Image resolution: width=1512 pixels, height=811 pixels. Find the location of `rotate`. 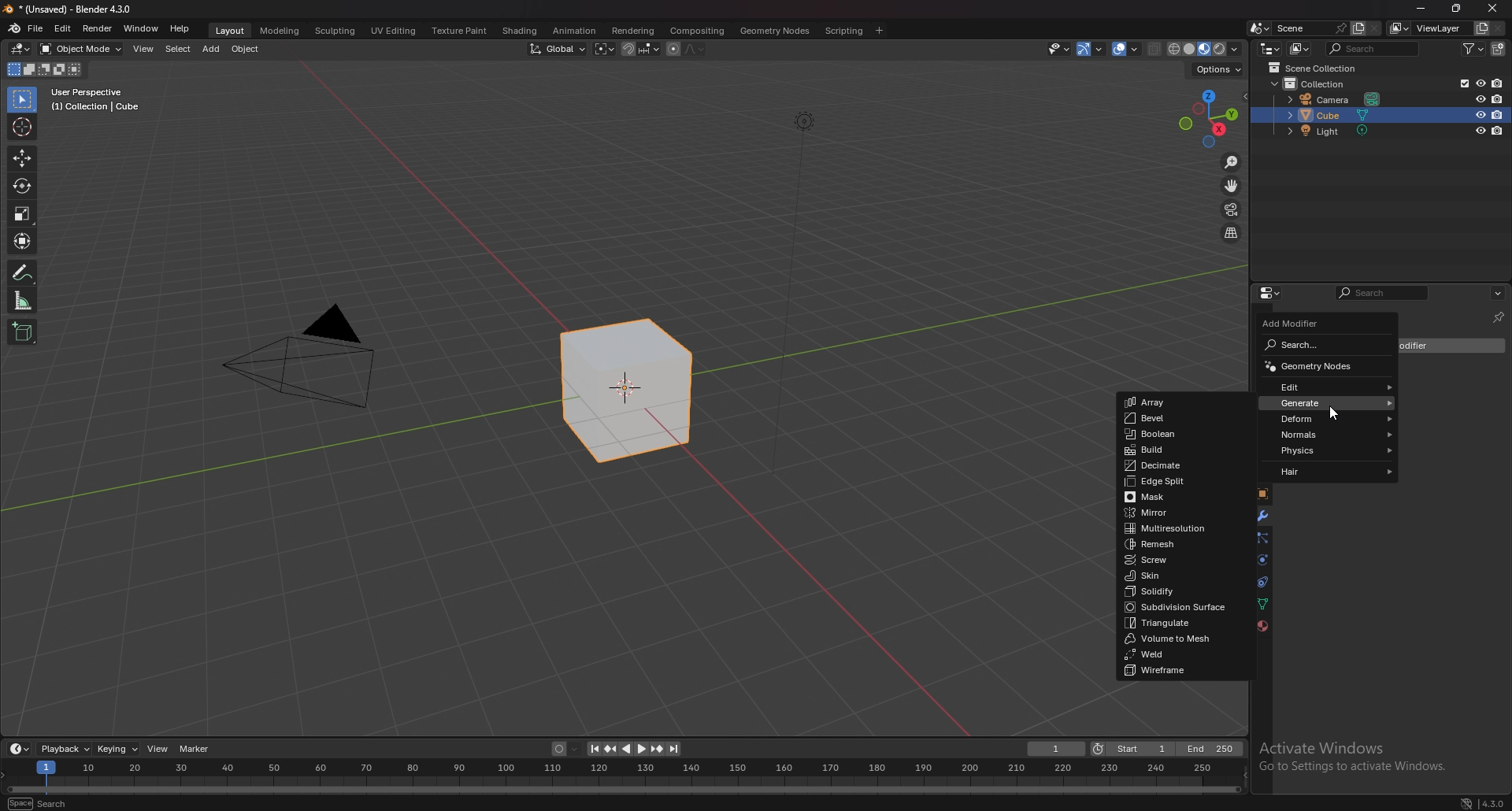

rotate is located at coordinates (21, 186).